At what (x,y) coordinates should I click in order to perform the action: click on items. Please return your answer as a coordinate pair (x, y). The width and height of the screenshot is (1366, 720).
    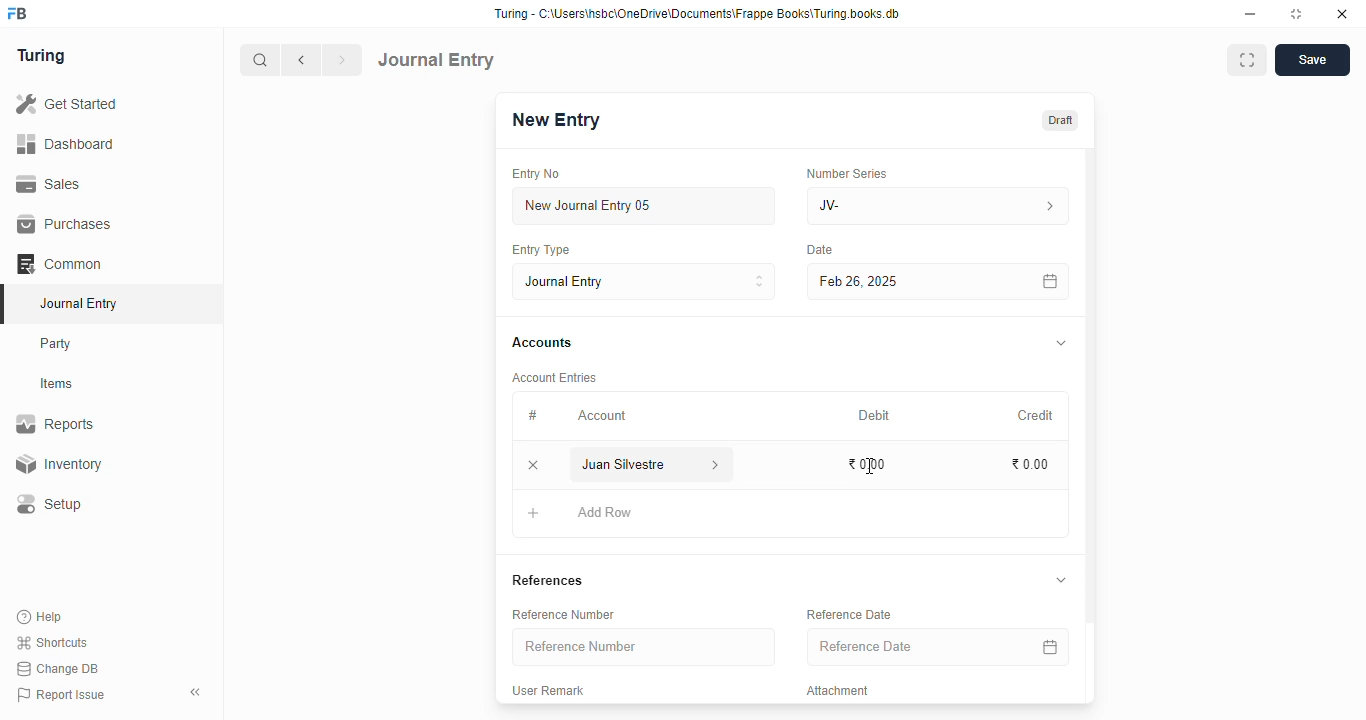
    Looking at the image, I should click on (59, 384).